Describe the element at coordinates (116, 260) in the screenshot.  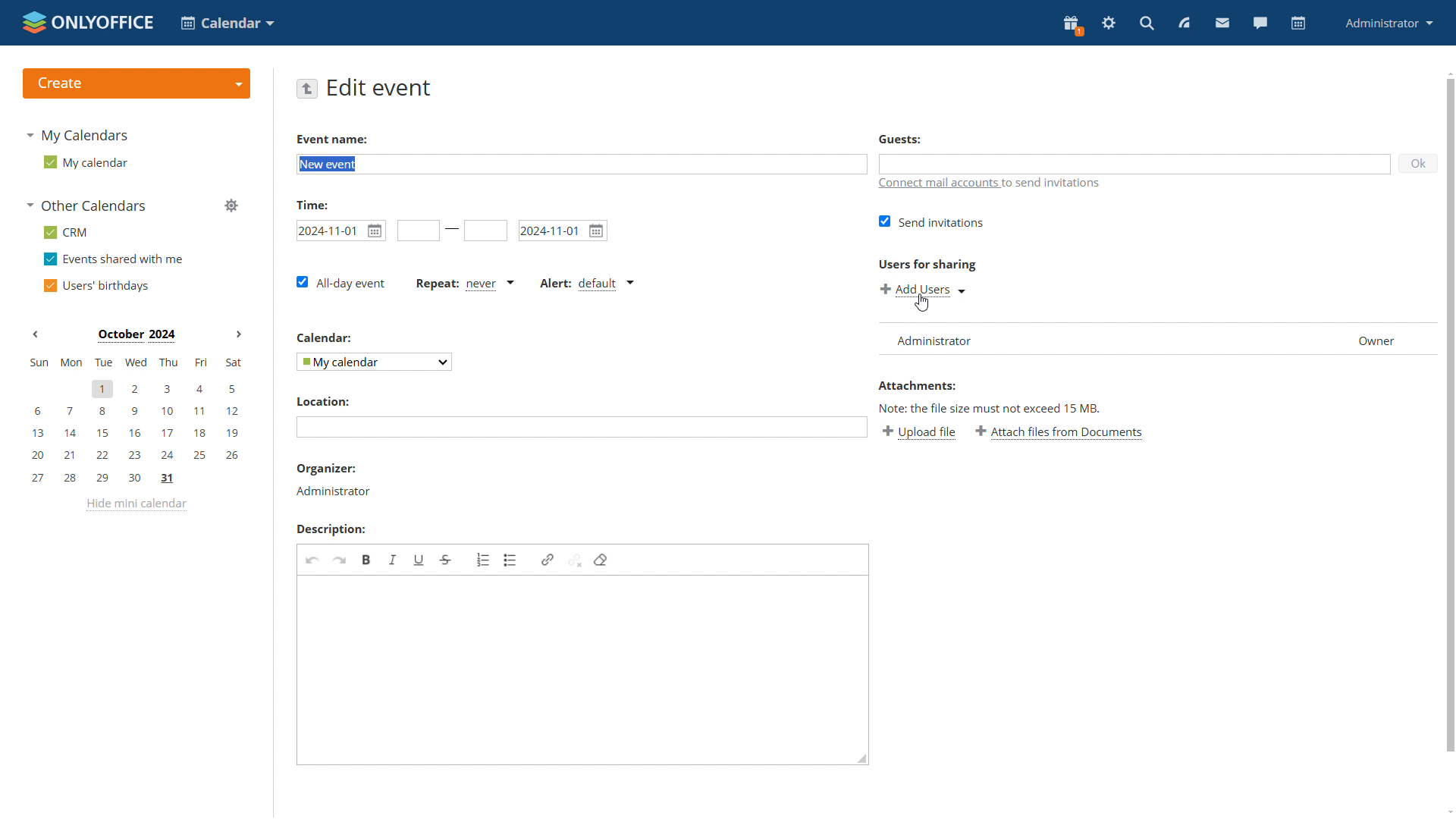
I see `events shared with me` at that location.